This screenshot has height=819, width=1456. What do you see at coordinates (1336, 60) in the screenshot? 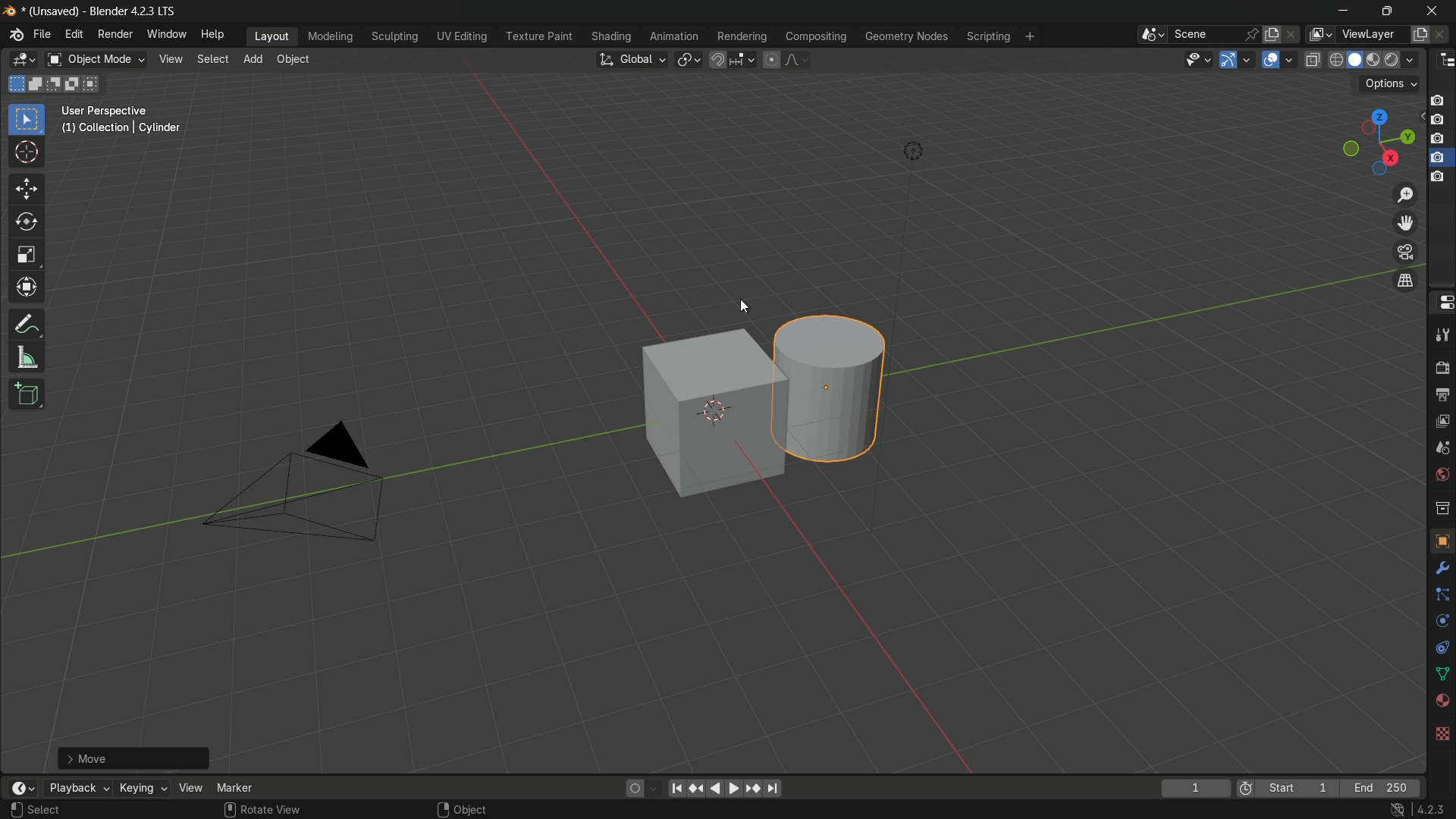
I see `wireframe` at bounding box center [1336, 60].